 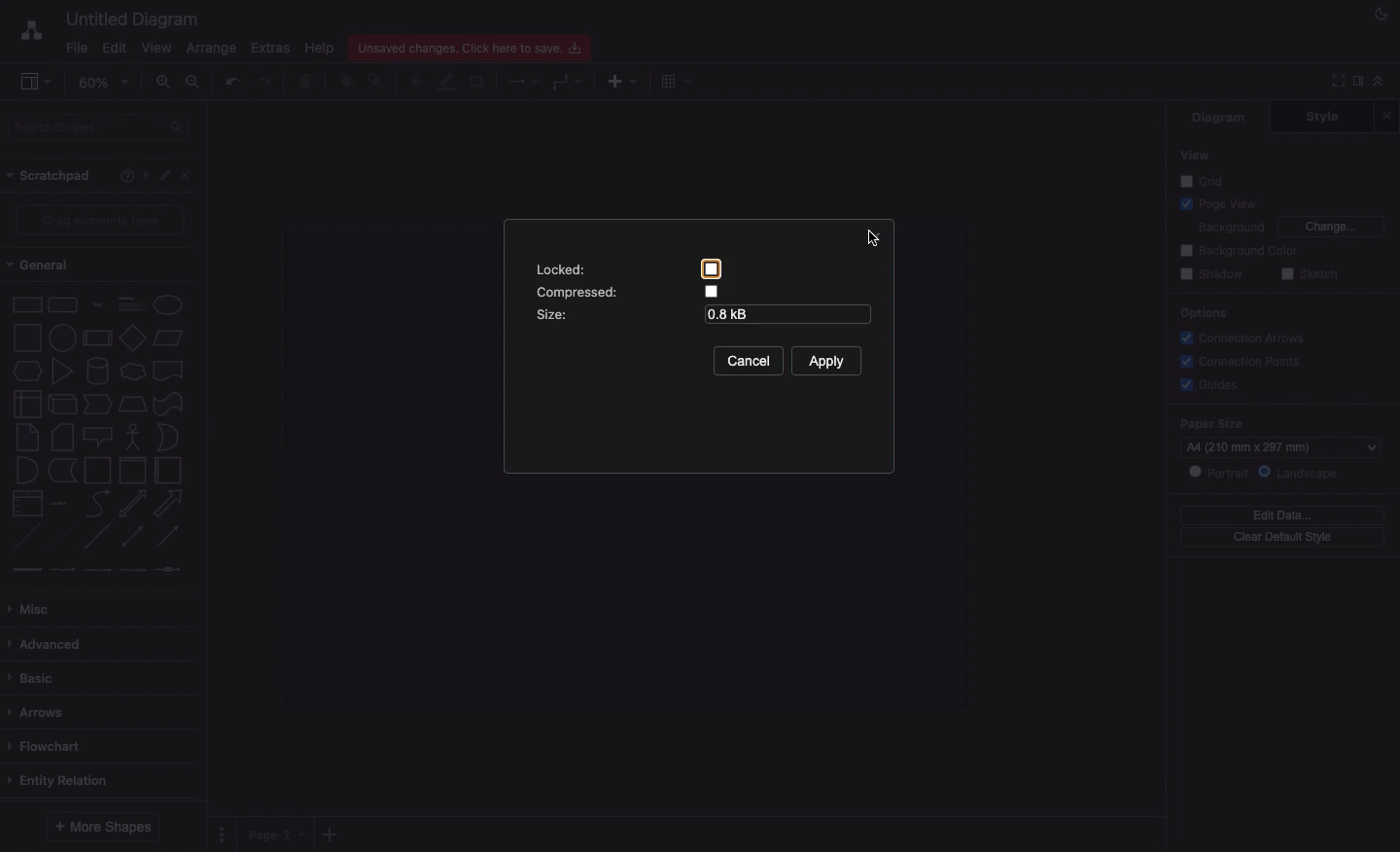 I want to click on Cancel, so click(x=748, y=362).